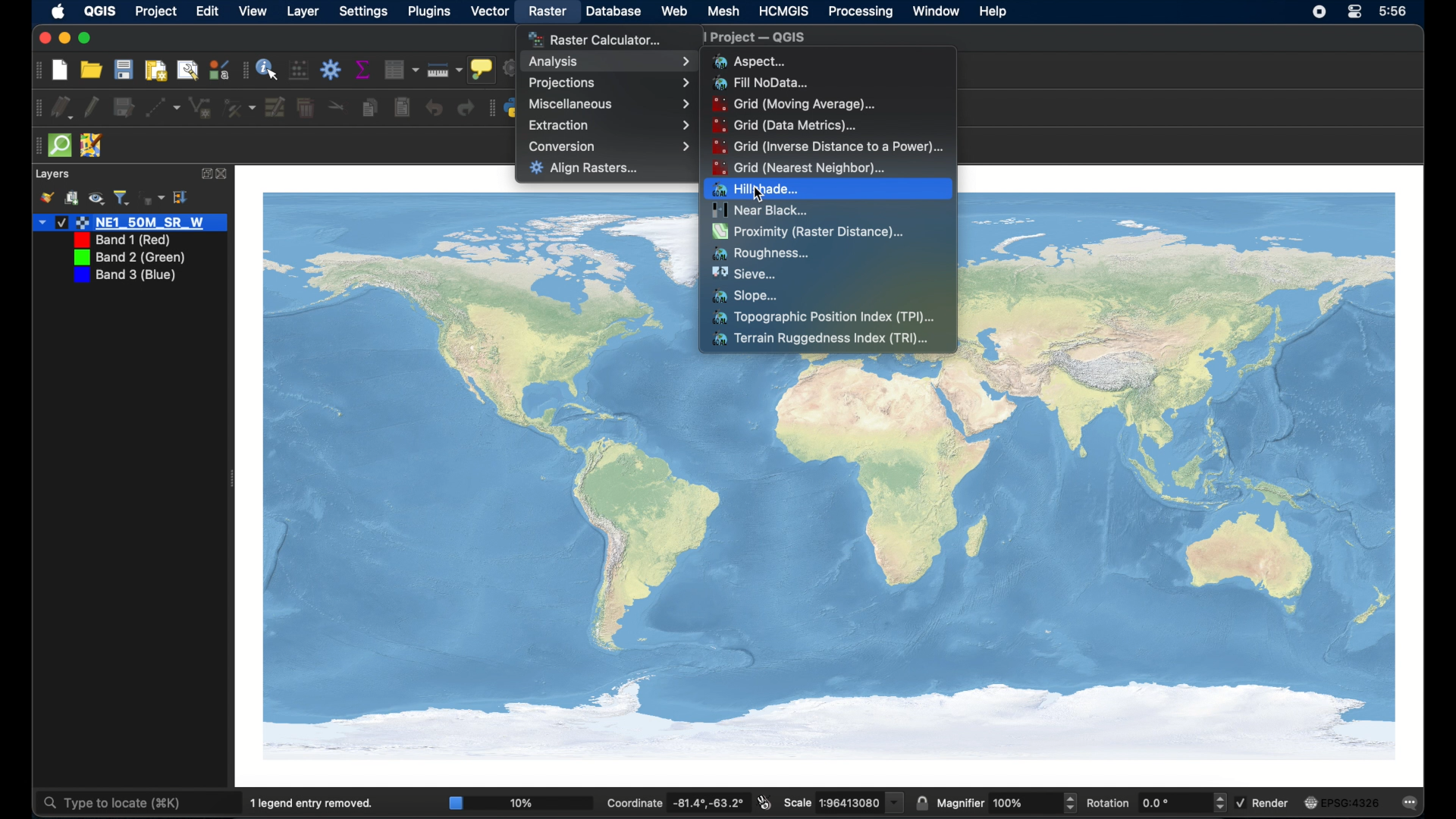 This screenshot has width=1456, height=819. I want to click on roughness, so click(762, 253).